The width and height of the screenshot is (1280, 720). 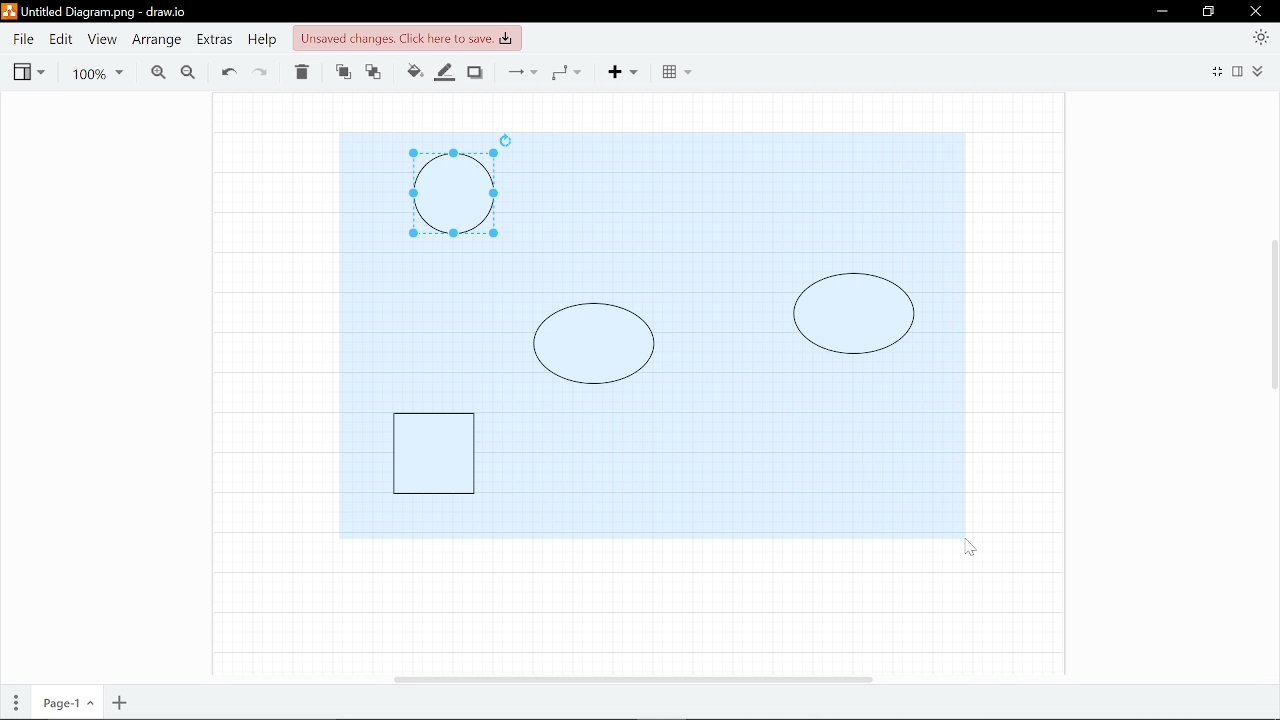 What do you see at coordinates (342, 73) in the screenshot?
I see `To front` at bounding box center [342, 73].